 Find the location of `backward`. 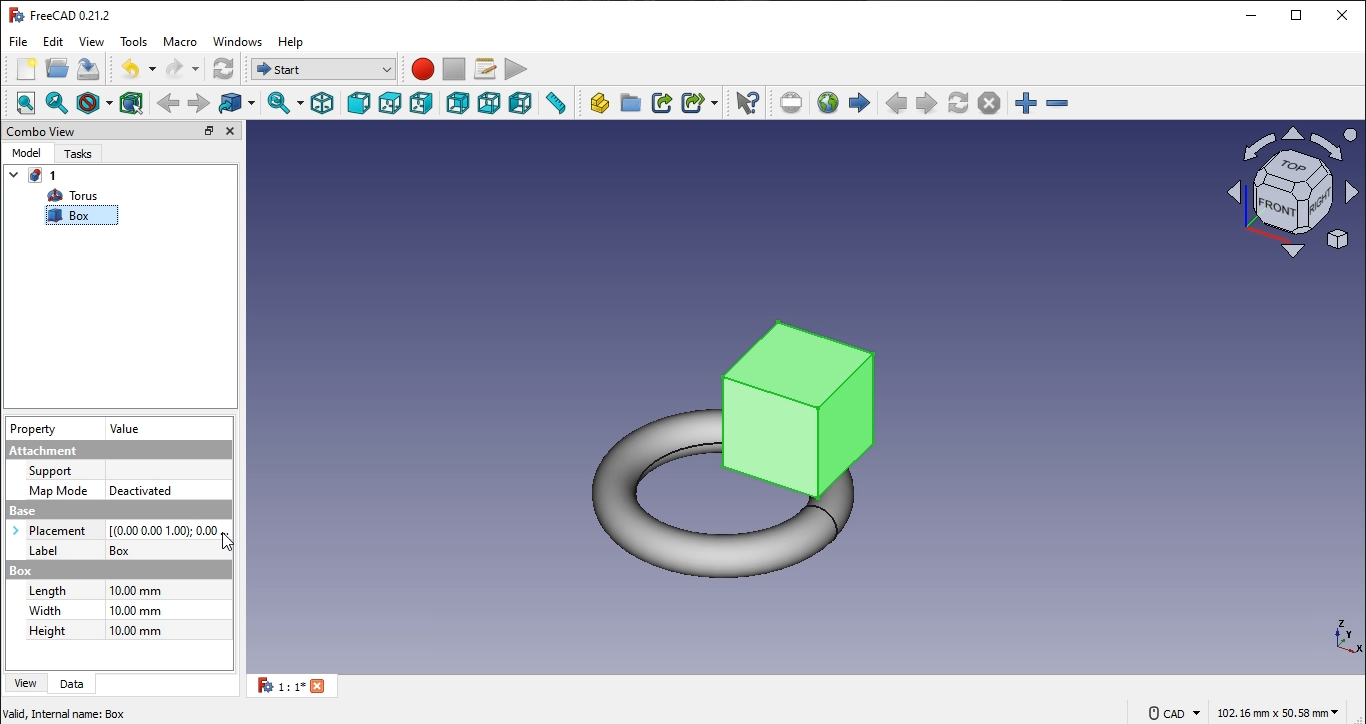

backward is located at coordinates (169, 102).